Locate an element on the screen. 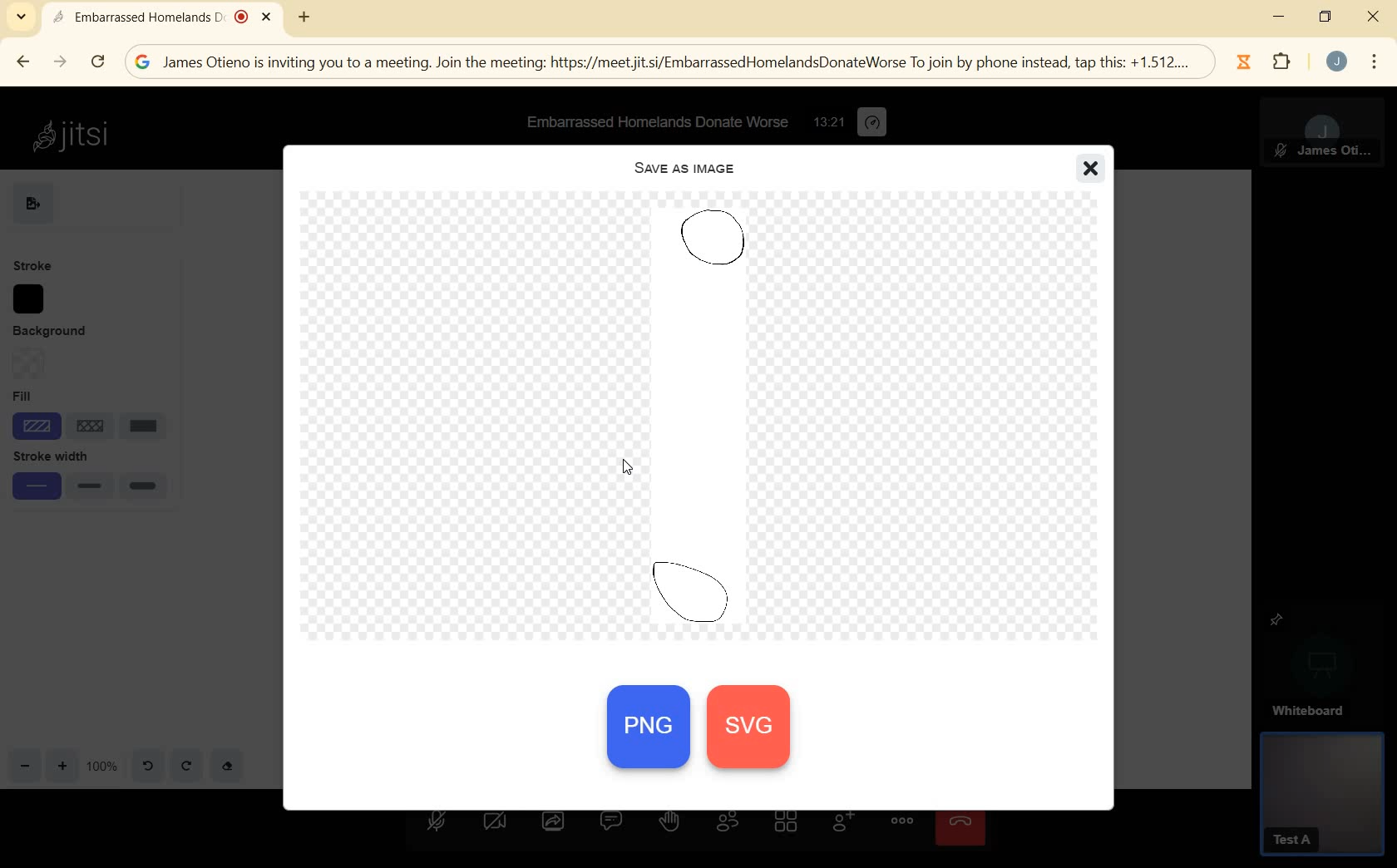 The width and height of the screenshot is (1397, 868). RELOAD is located at coordinates (97, 62).